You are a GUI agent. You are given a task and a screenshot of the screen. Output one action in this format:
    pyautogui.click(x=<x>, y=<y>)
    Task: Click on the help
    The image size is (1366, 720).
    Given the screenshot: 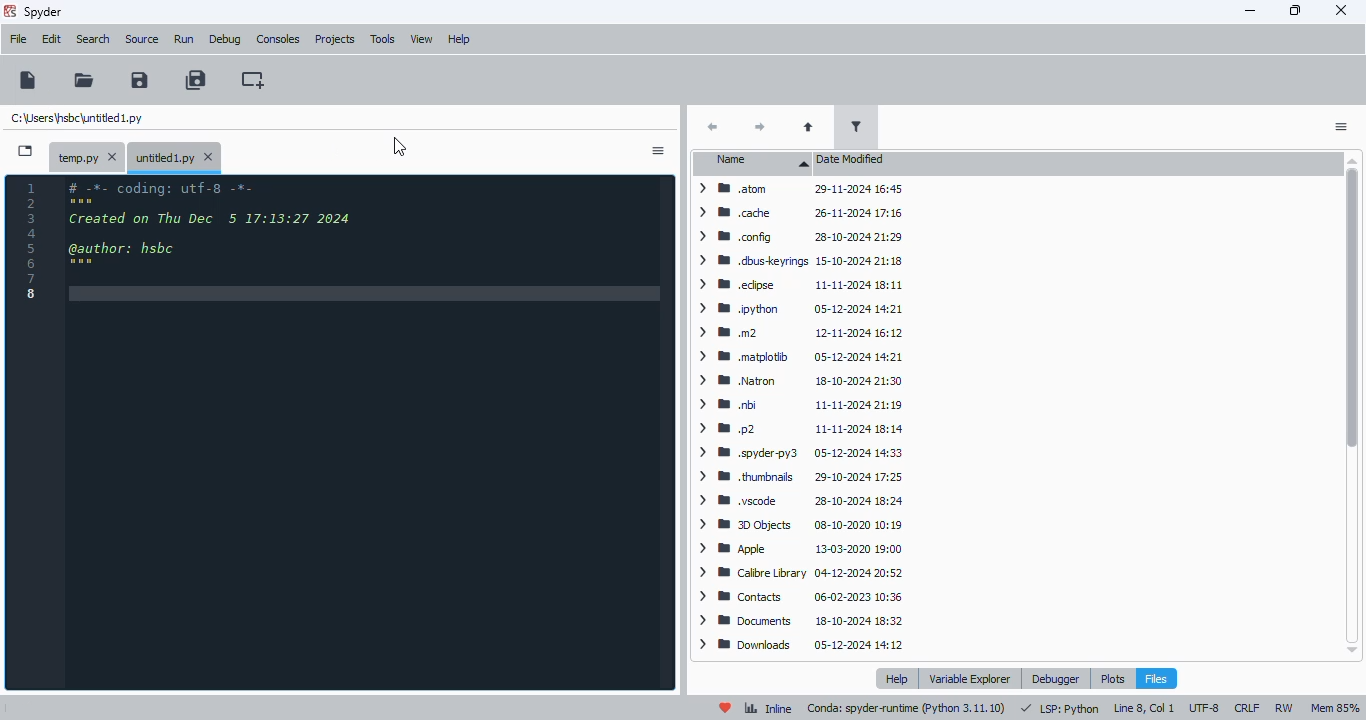 What is the action you would take?
    pyautogui.click(x=459, y=40)
    